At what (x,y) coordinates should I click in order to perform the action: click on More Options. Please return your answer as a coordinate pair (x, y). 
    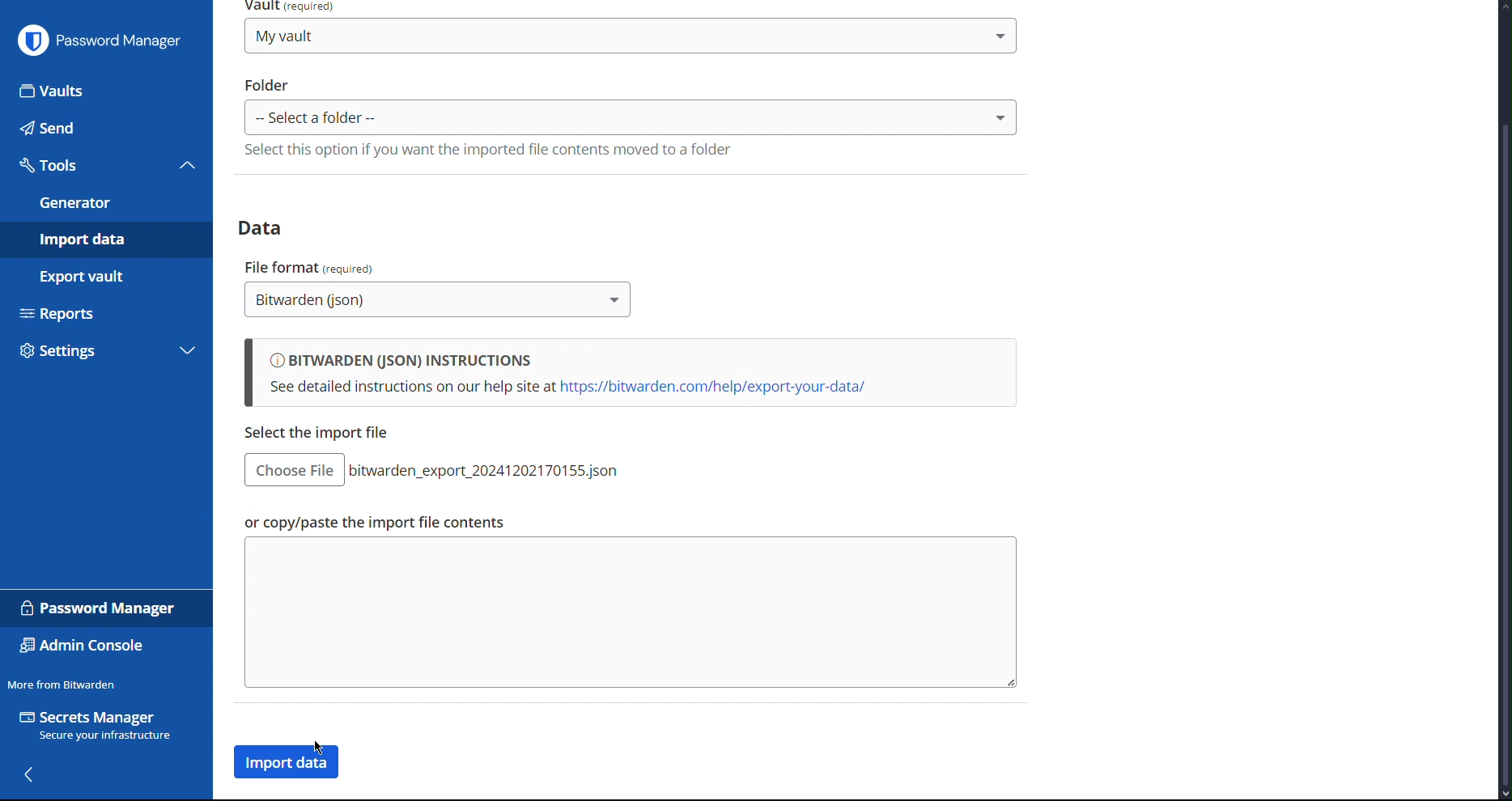
    Looking at the image, I should click on (1406, 38).